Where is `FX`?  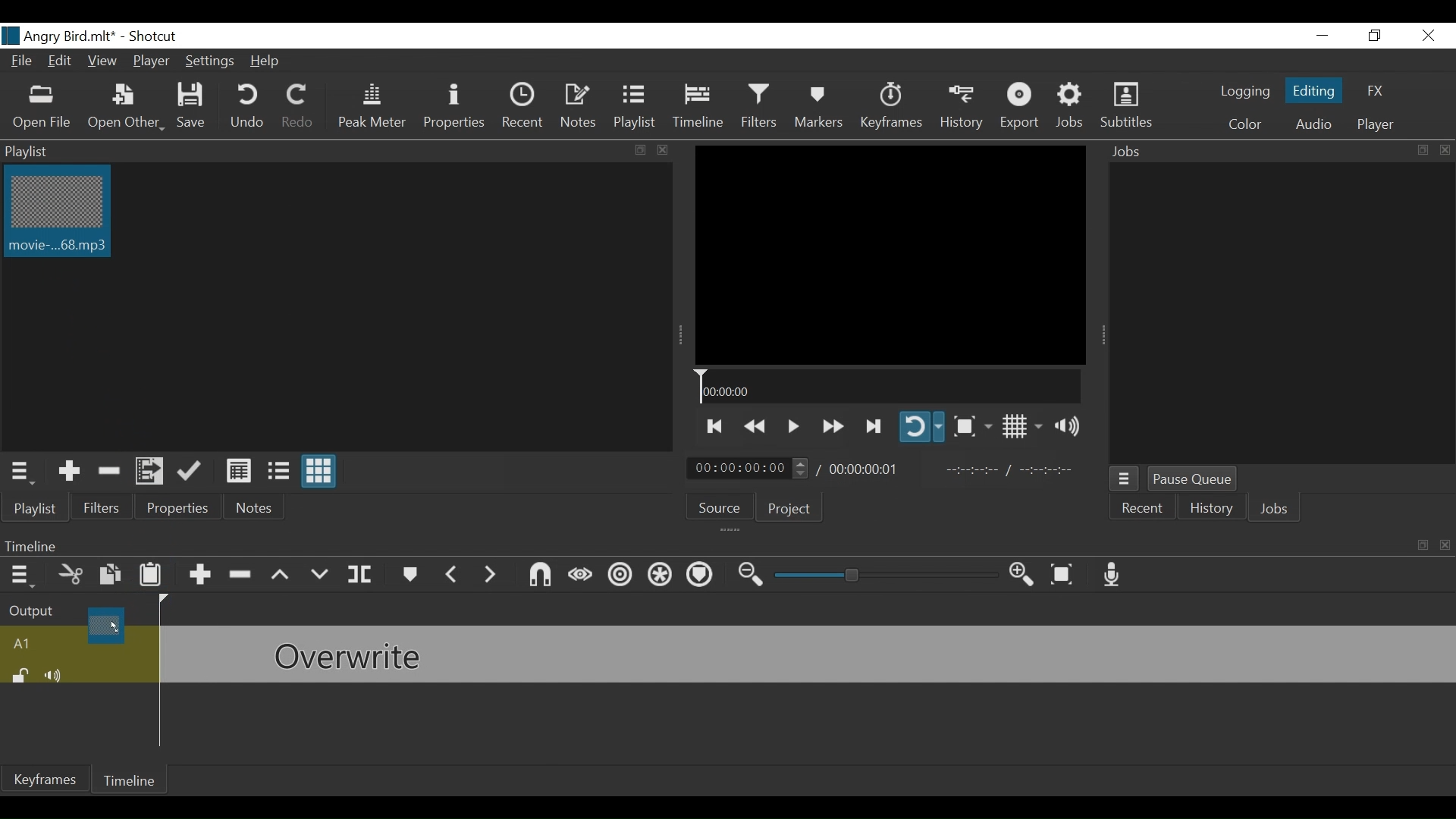 FX is located at coordinates (1373, 91).